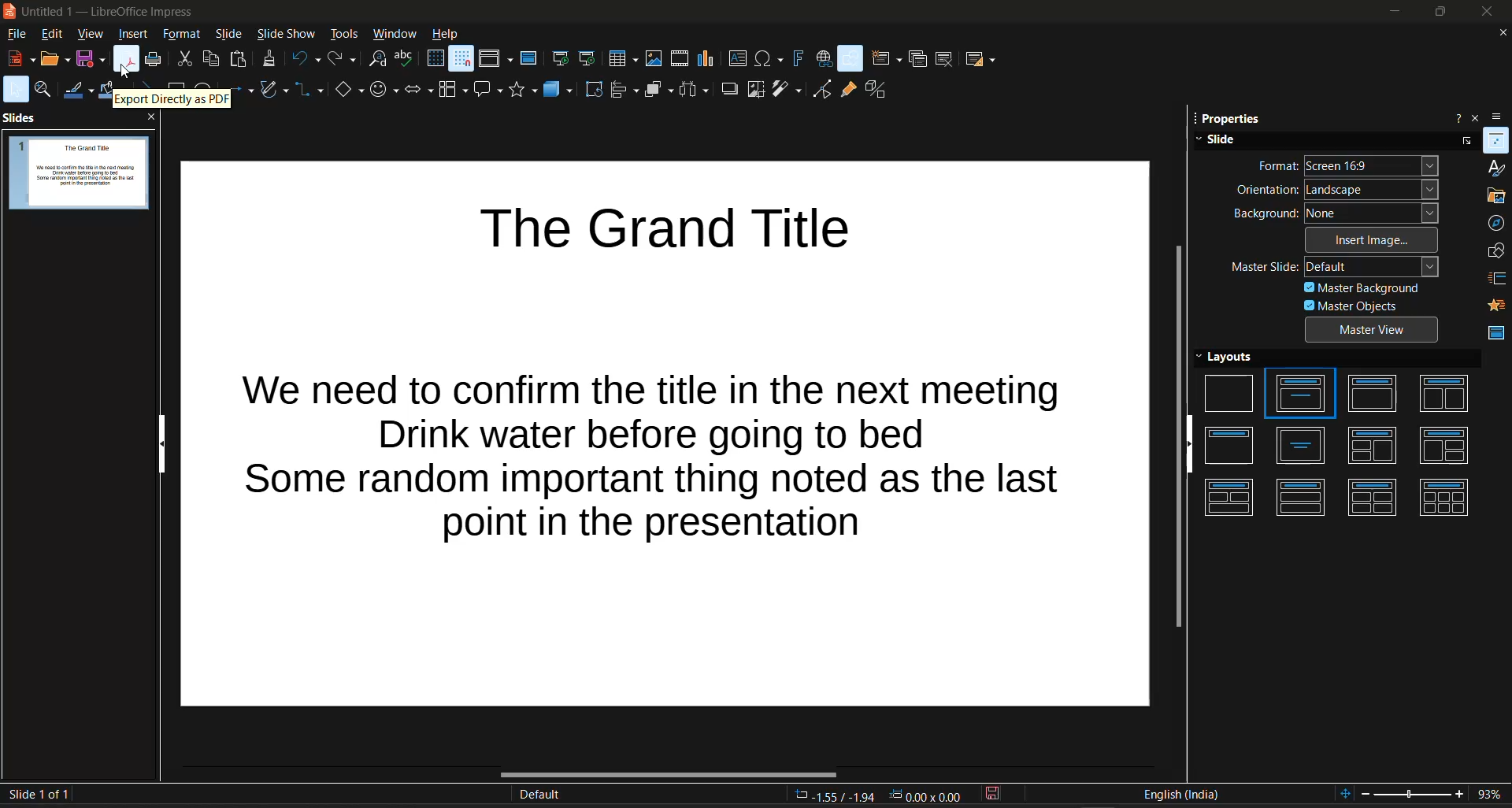 The height and width of the screenshot is (808, 1512). I want to click on slide transition, so click(1497, 279).